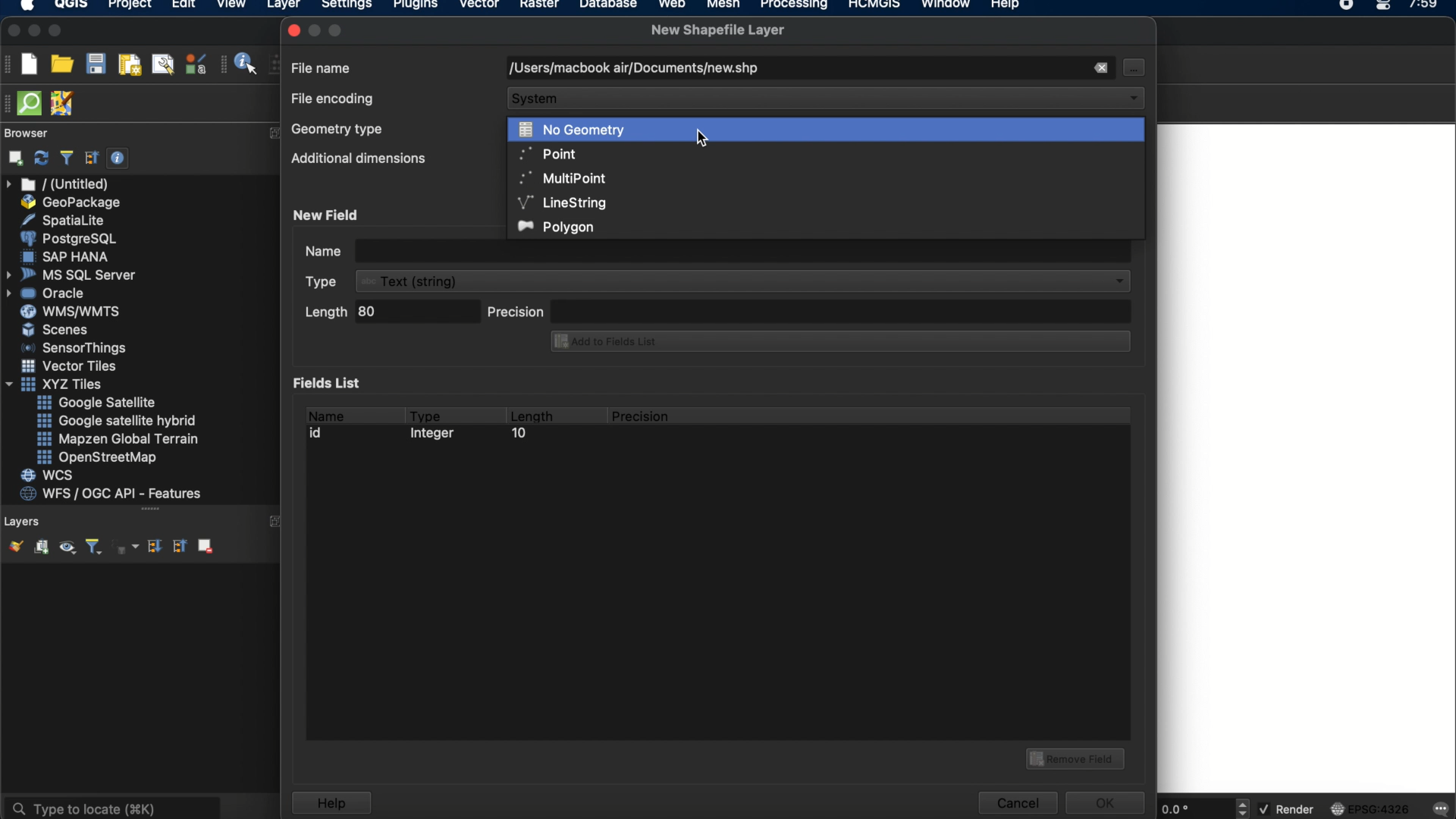 Image resolution: width=1456 pixels, height=819 pixels. Describe the element at coordinates (127, 547) in the screenshot. I see `filter legend by expression` at that location.